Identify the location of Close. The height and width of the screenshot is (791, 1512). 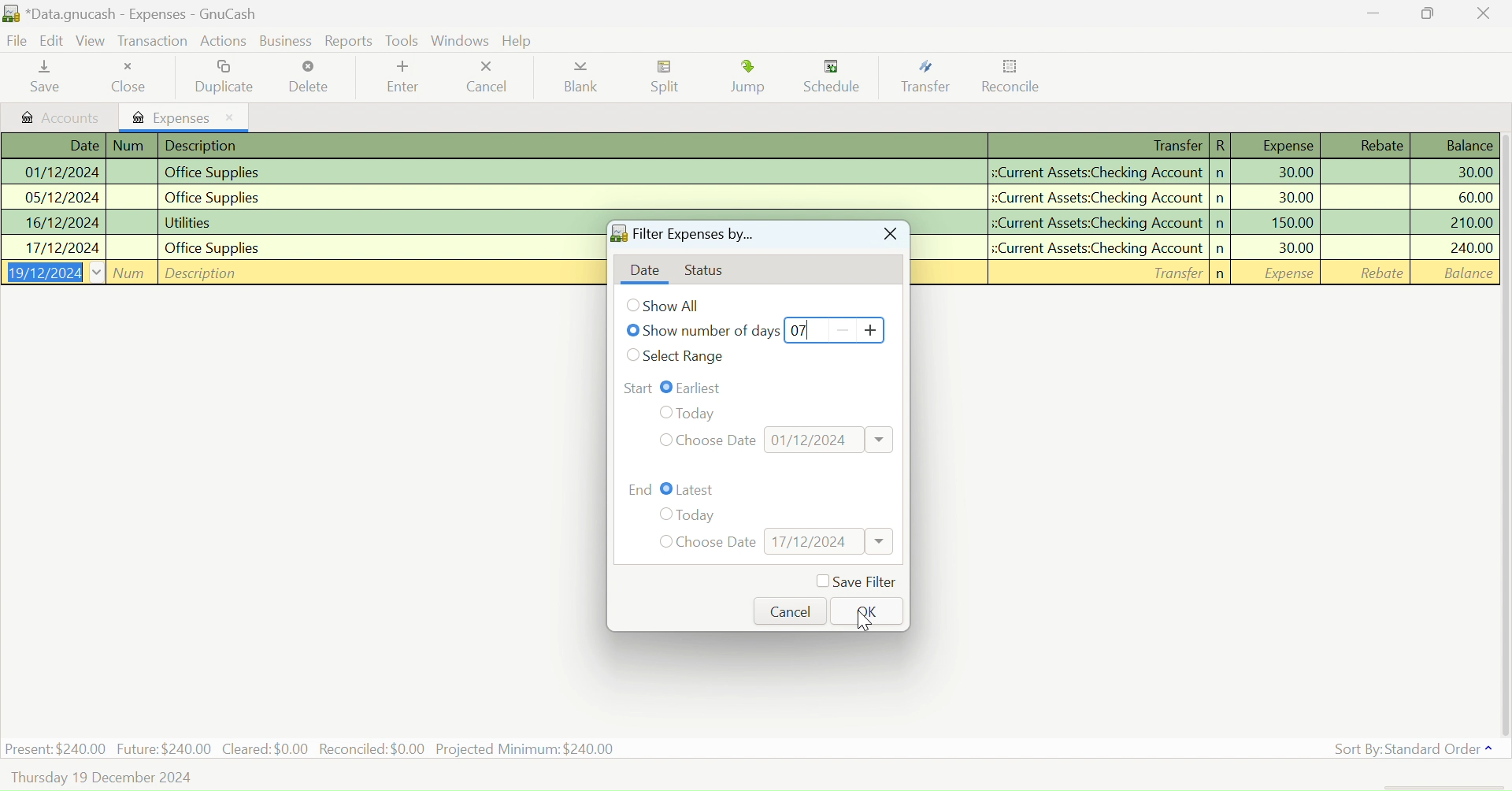
(133, 77).